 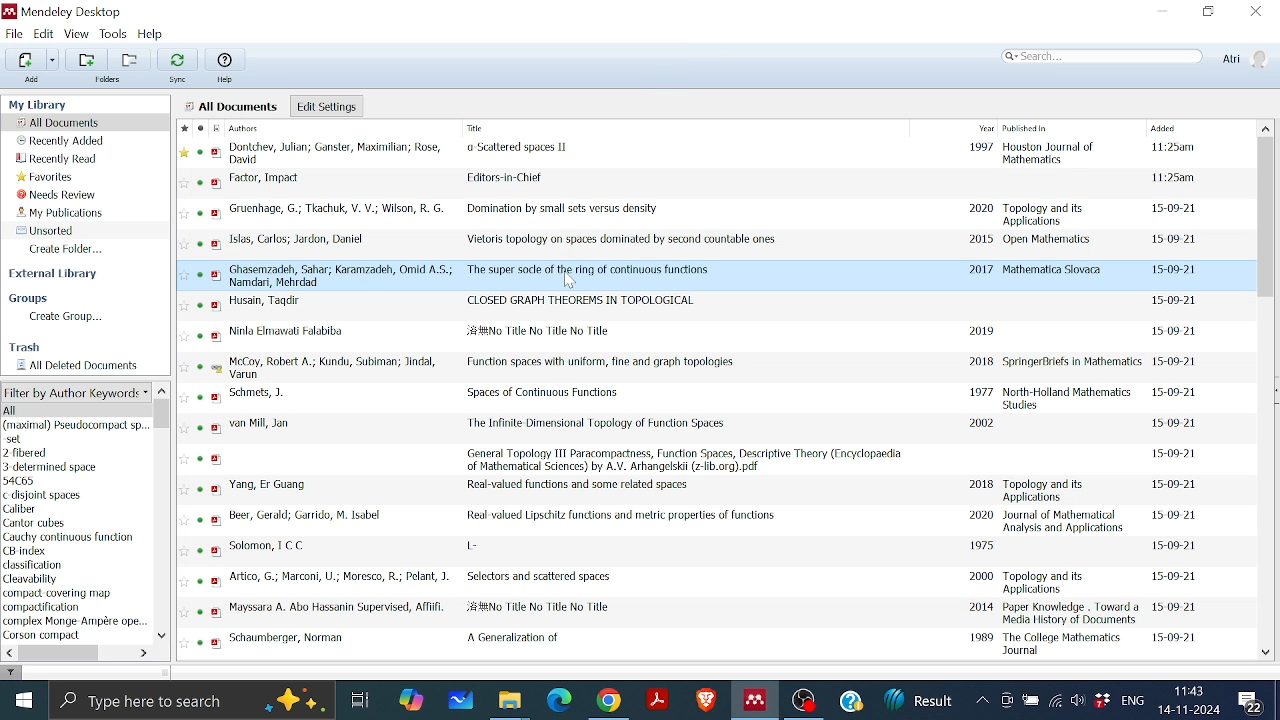 I want to click on Add folders, so click(x=86, y=60).